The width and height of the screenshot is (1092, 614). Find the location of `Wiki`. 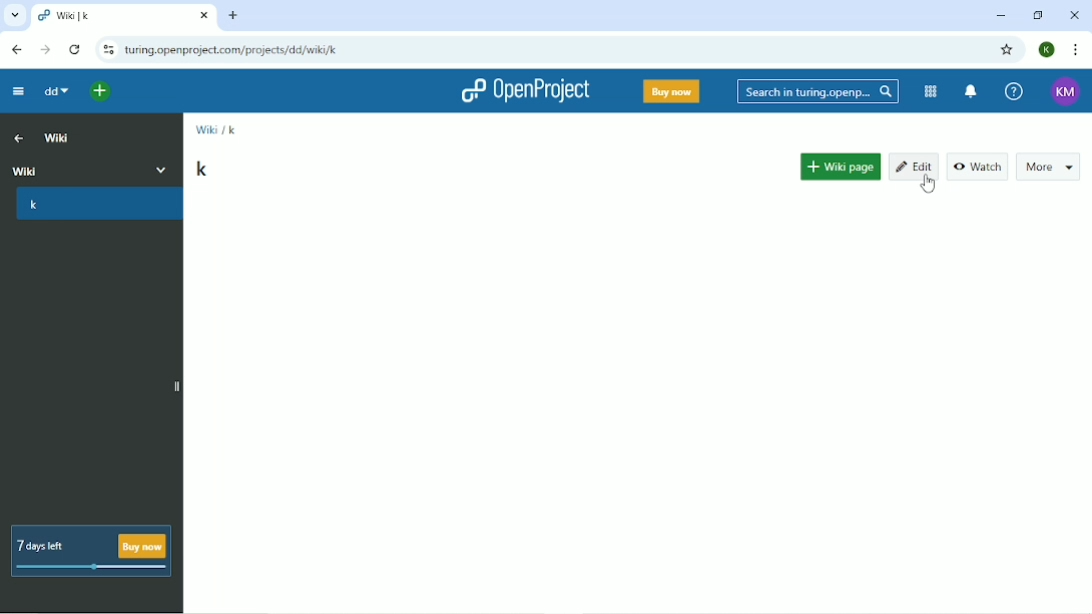

Wiki is located at coordinates (205, 128).